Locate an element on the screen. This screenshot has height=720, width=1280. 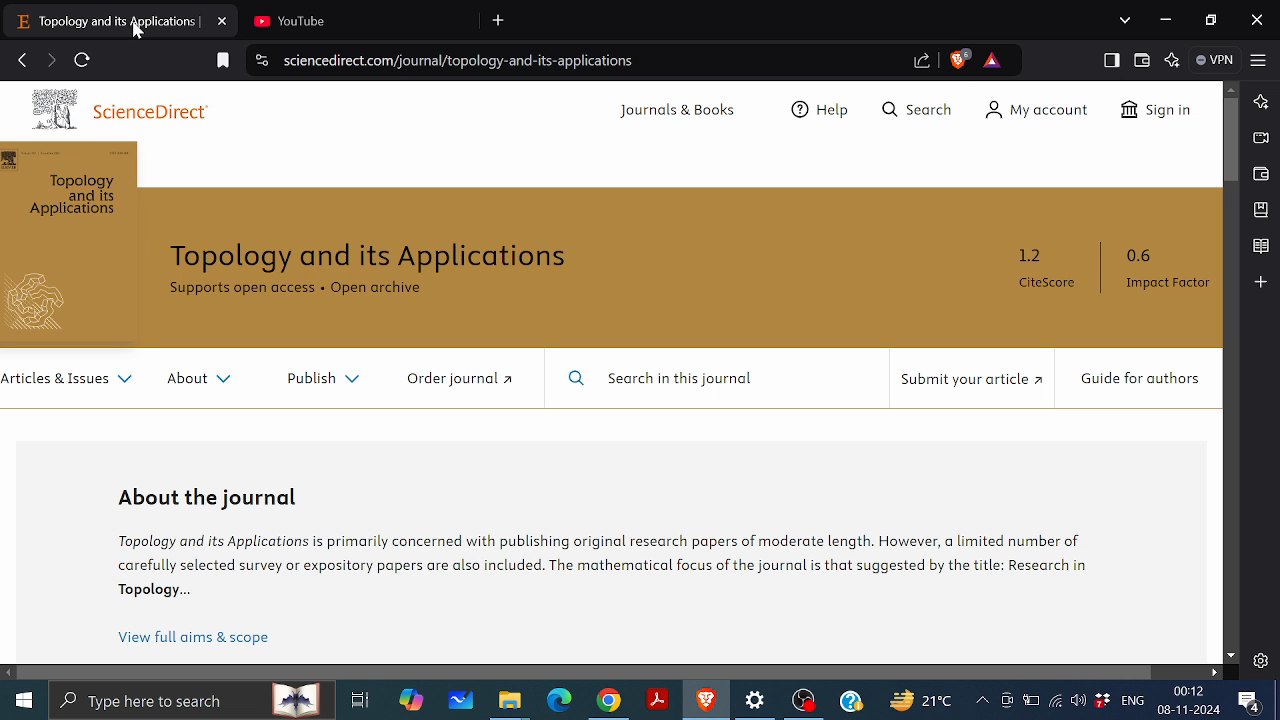
Brave talk is located at coordinates (1259, 137).